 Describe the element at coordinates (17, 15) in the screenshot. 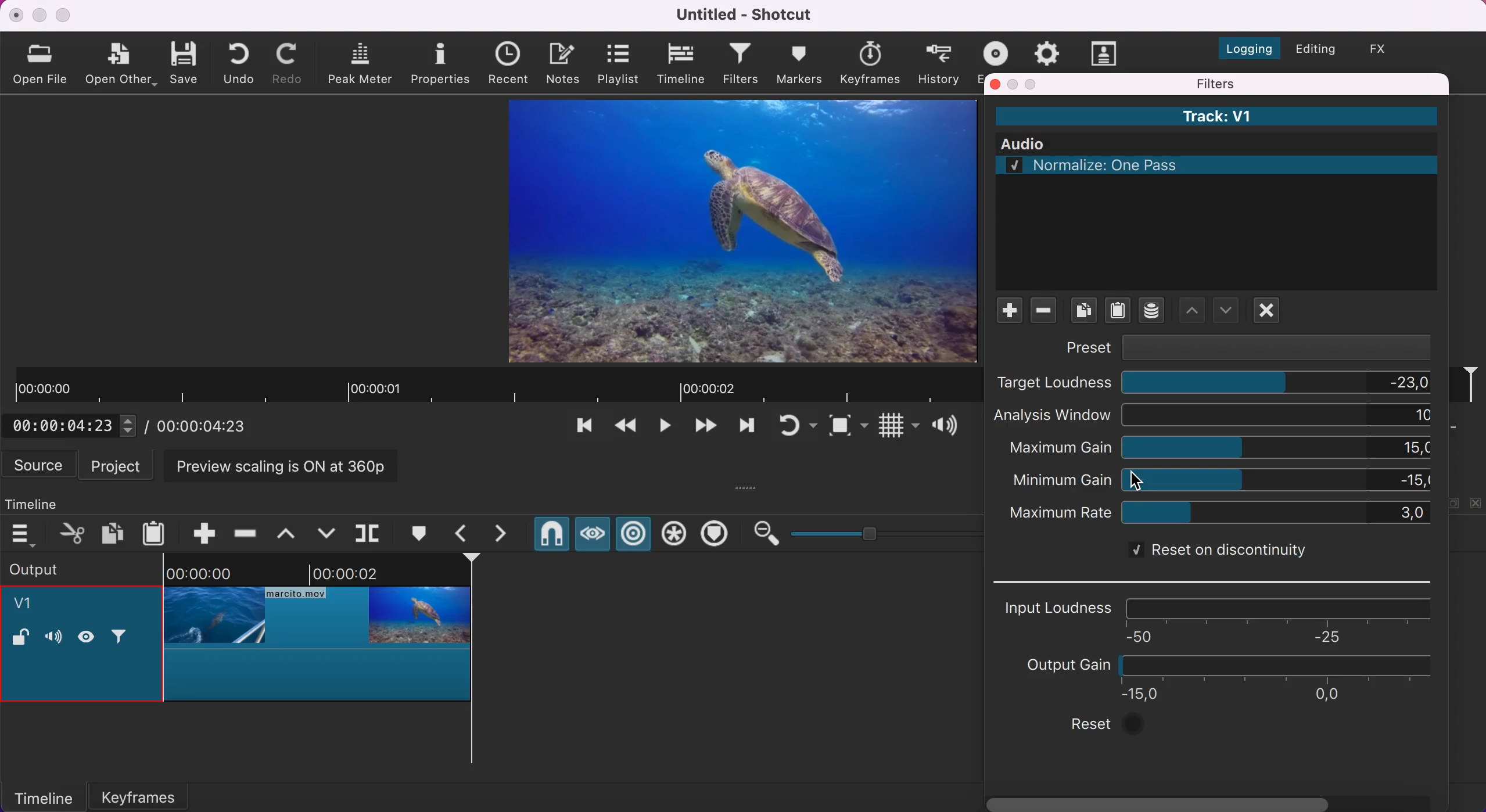

I see `close` at that location.